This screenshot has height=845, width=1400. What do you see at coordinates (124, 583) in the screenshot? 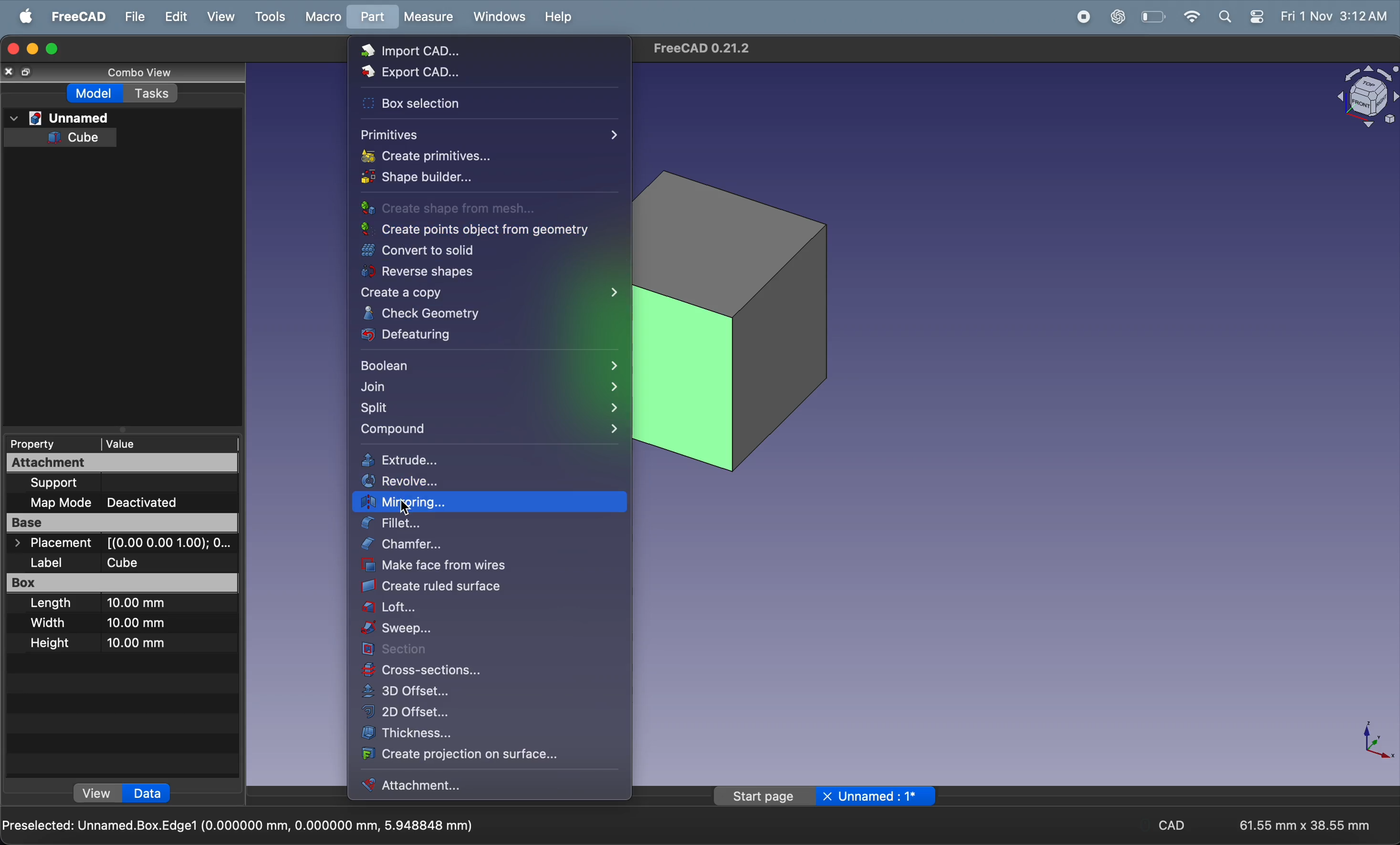
I see `Box` at bounding box center [124, 583].